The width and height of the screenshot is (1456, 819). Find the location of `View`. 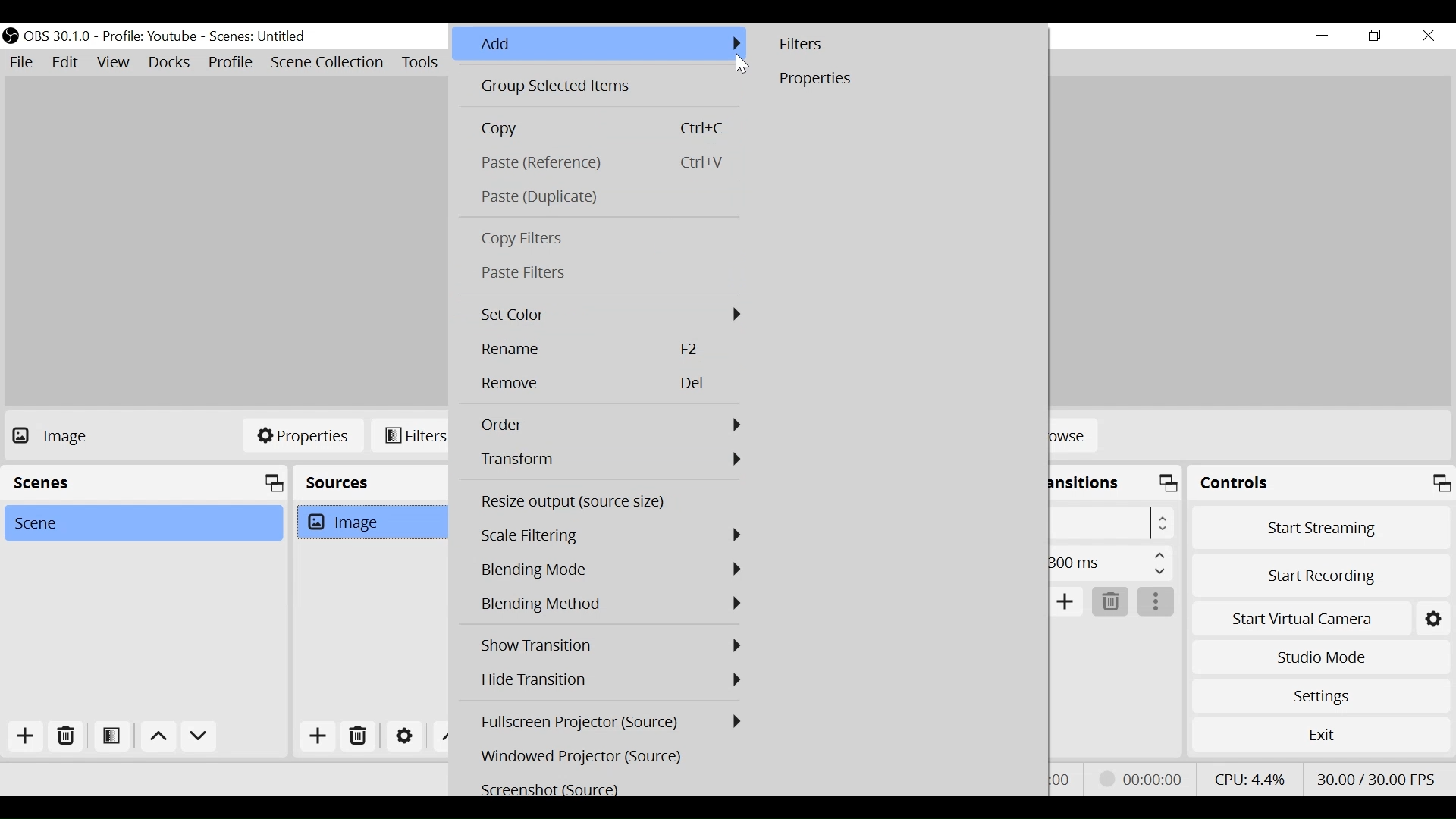

View is located at coordinates (113, 64).